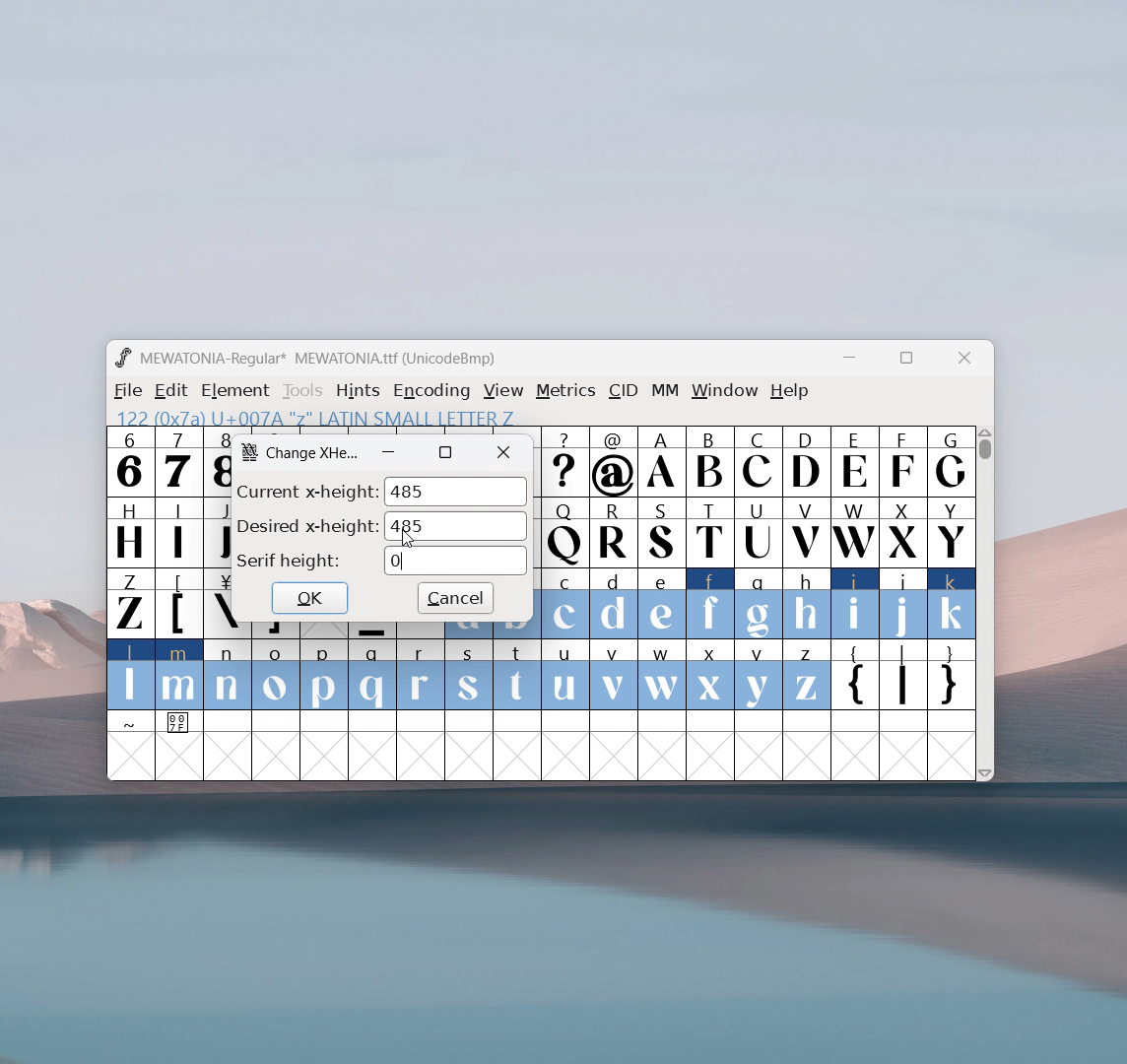  What do you see at coordinates (901, 460) in the screenshot?
I see `F` at bounding box center [901, 460].